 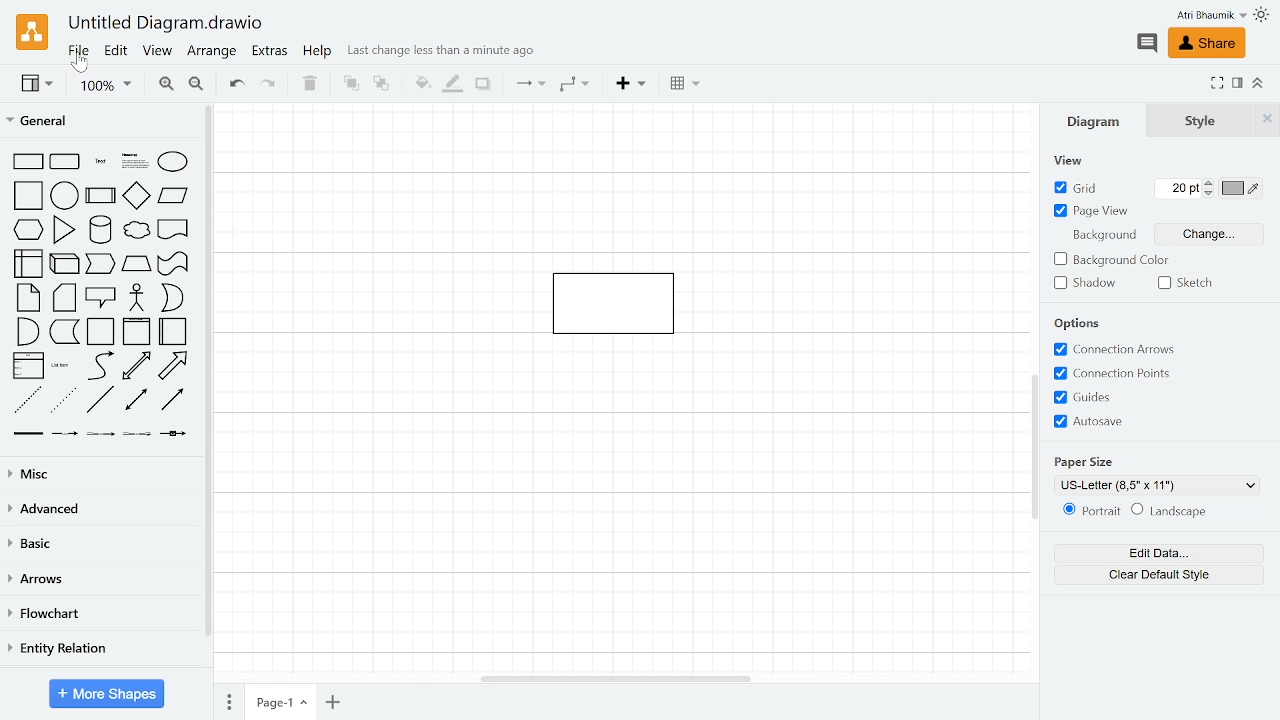 What do you see at coordinates (102, 542) in the screenshot?
I see `Basic` at bounding box center [102, 542].